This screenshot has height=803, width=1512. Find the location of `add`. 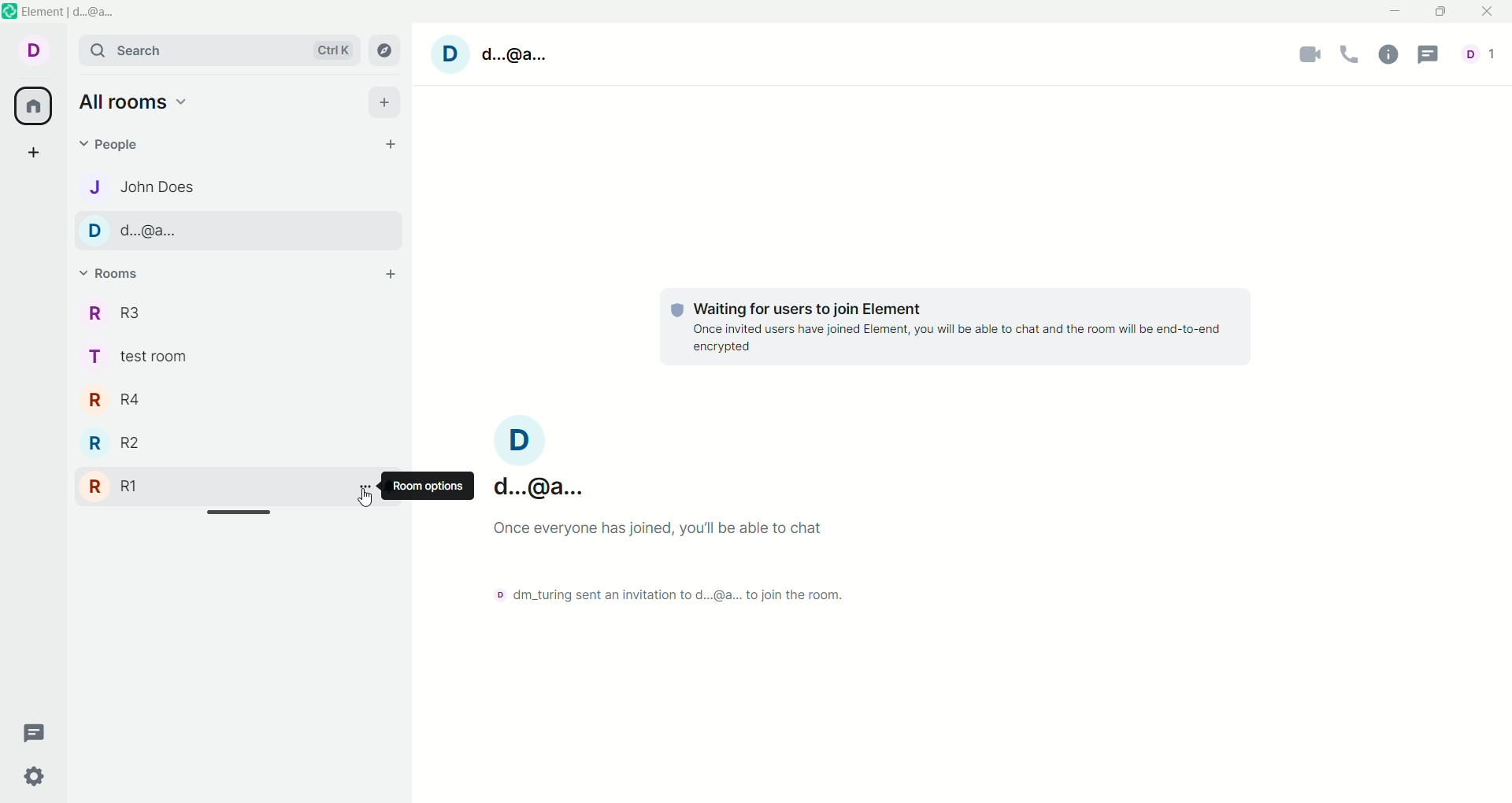

add is located at coordinates (384, 104).